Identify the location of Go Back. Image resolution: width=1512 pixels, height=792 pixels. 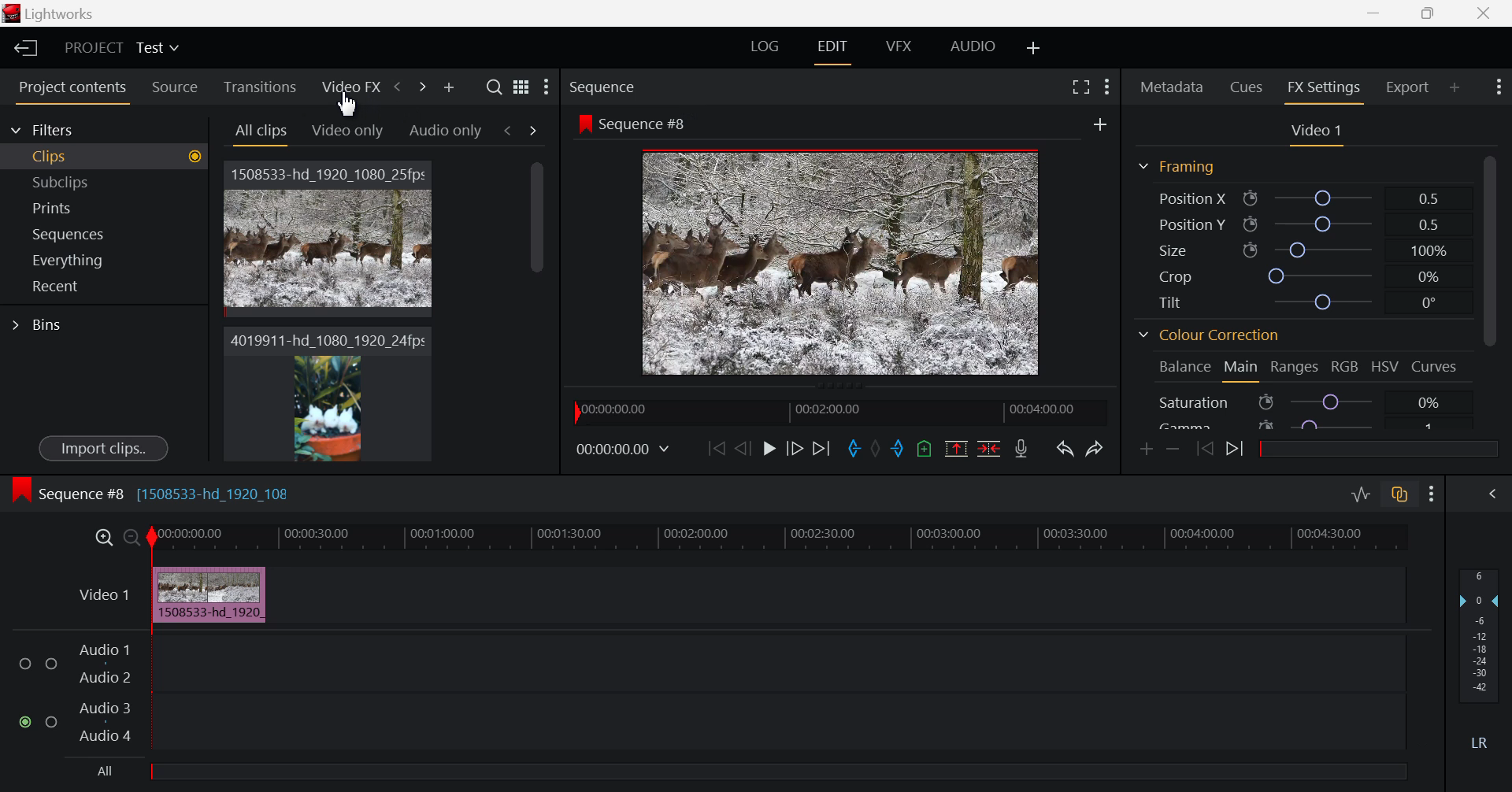
(743, 449).